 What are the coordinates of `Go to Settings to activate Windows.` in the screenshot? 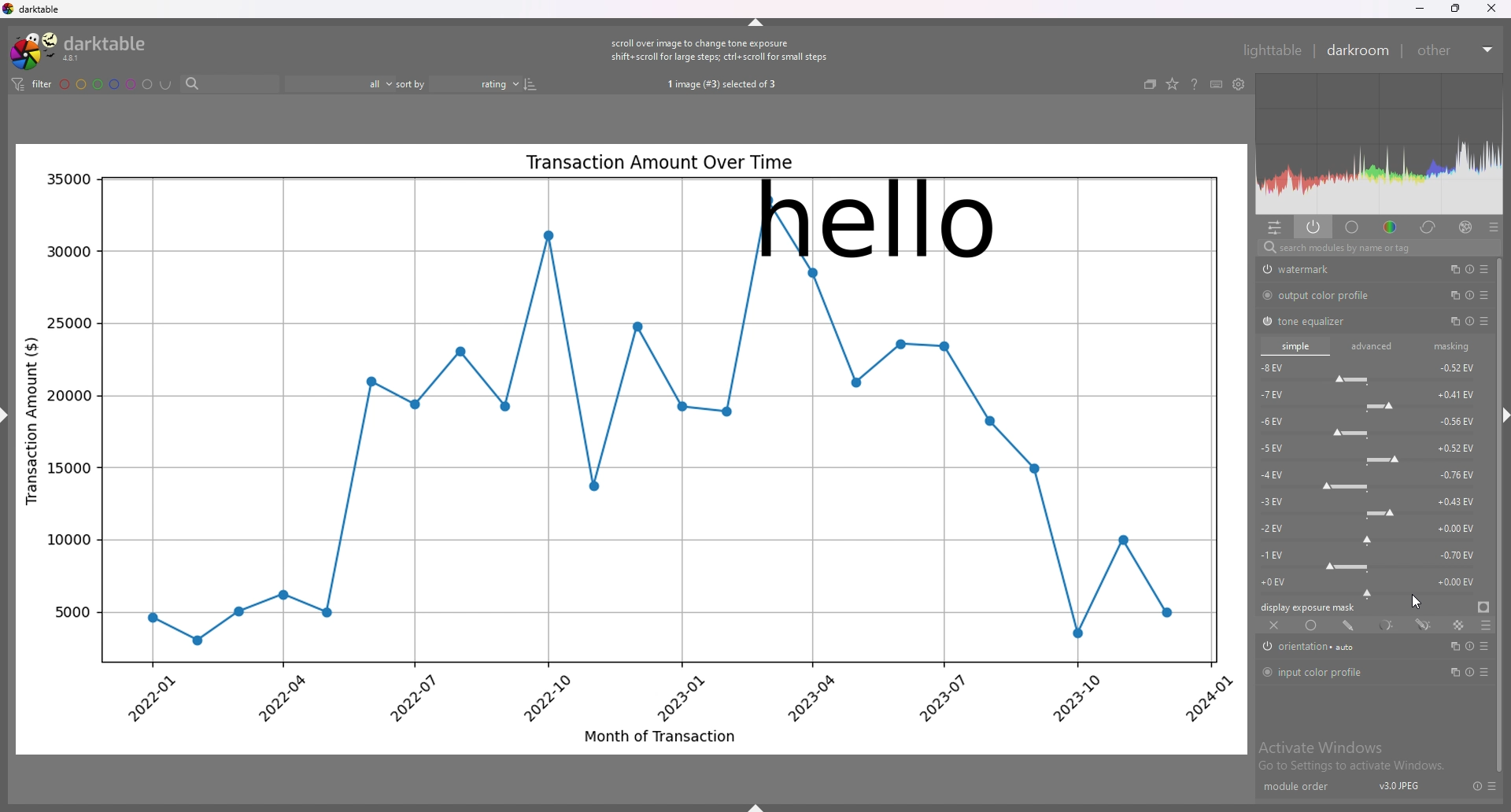 It's located at (1353, 767).